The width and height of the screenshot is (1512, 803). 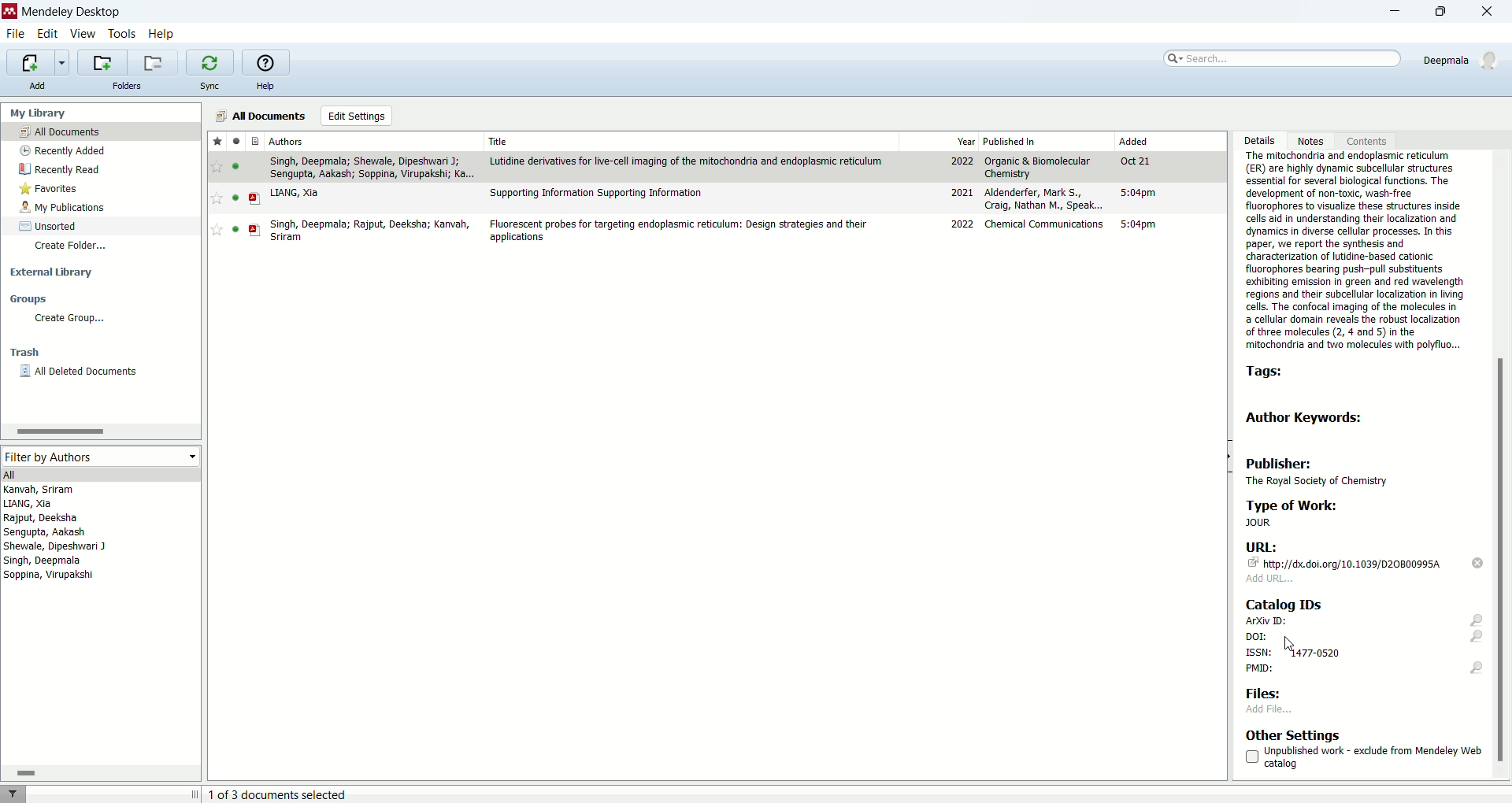 I want to click on singh, deepmala; rajput, deeksha; kanvah, sriram, so click(x=371, y=231).